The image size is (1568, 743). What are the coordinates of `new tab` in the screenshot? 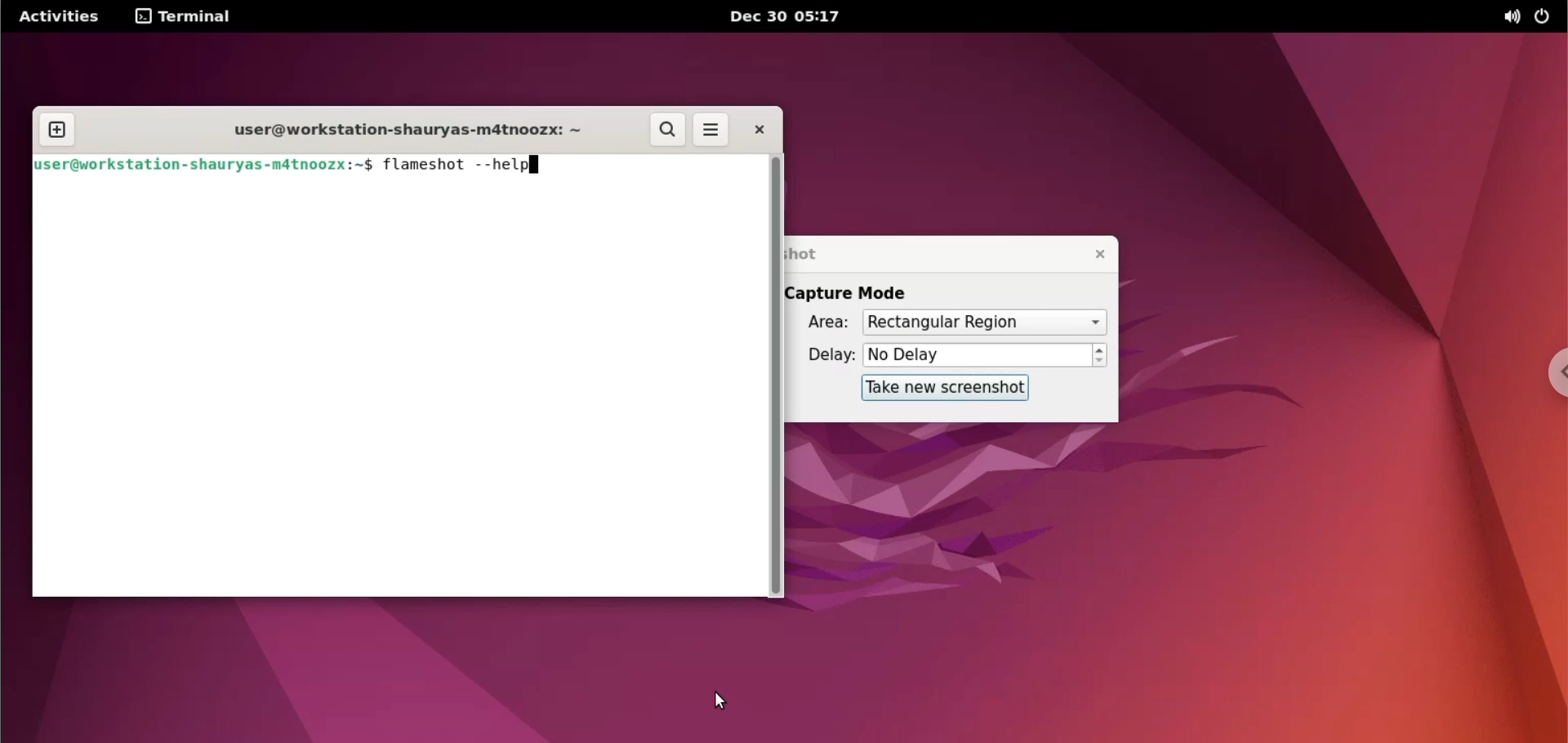 It's located at (55, 129).